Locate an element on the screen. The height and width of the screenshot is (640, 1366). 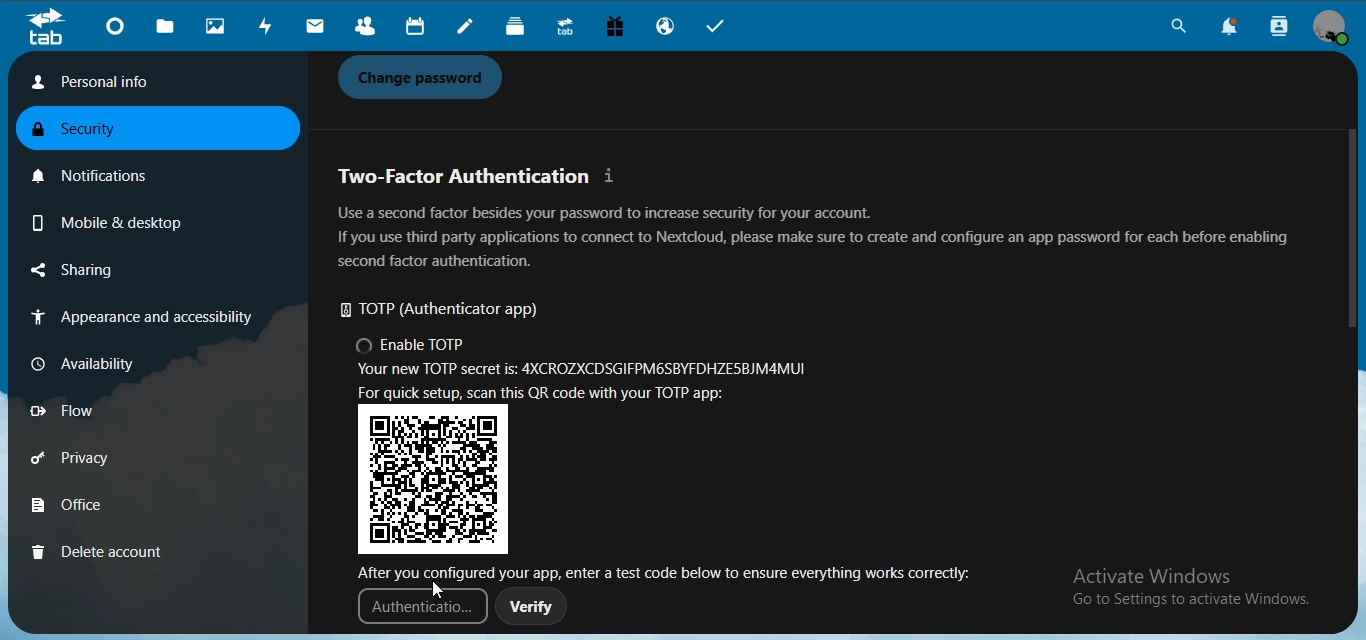
notifications is located at coordinates (1236, 28).